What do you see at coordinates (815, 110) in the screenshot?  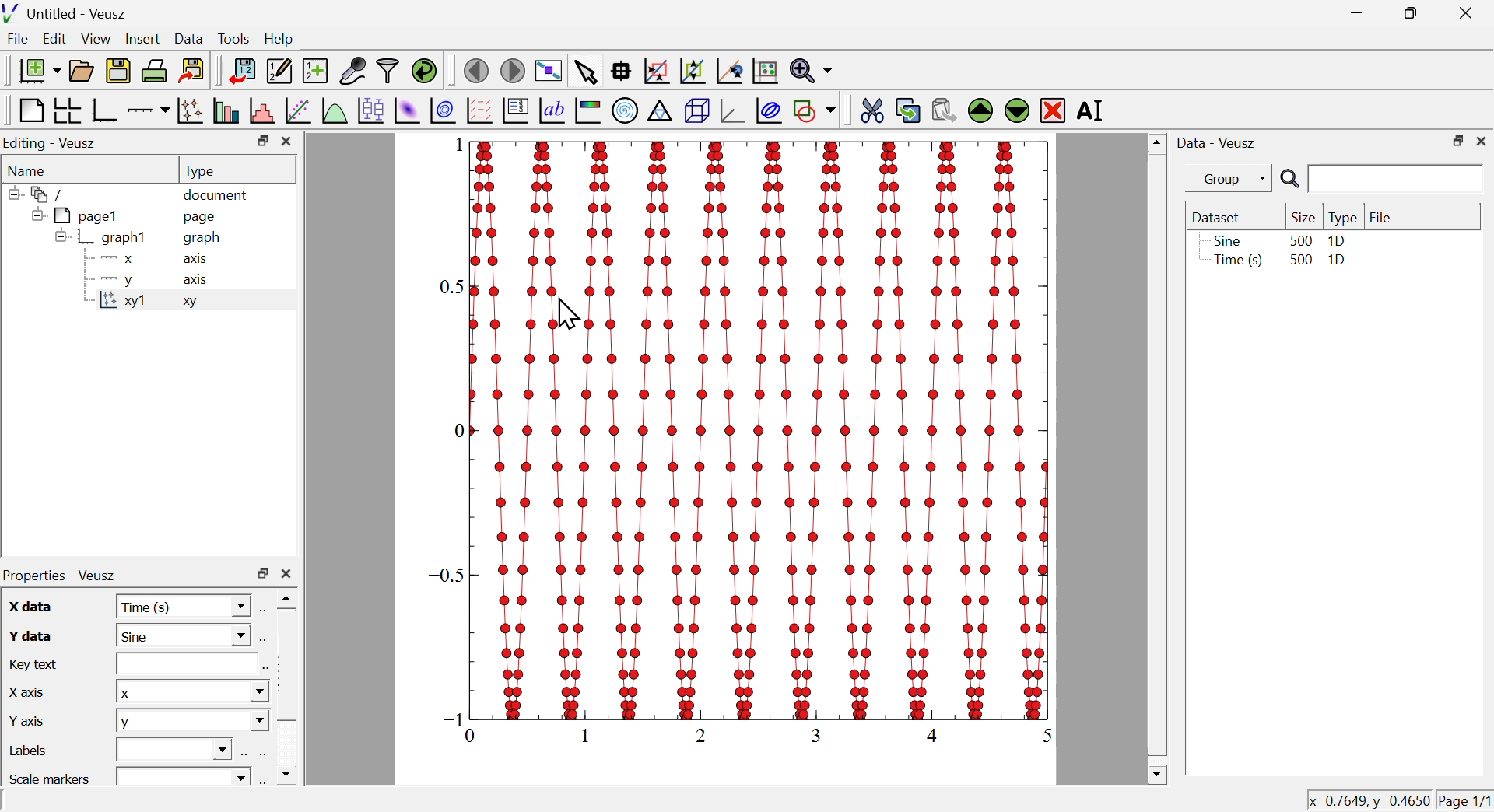 I see `add a shape to the plot` at bounding box center [815, 110].